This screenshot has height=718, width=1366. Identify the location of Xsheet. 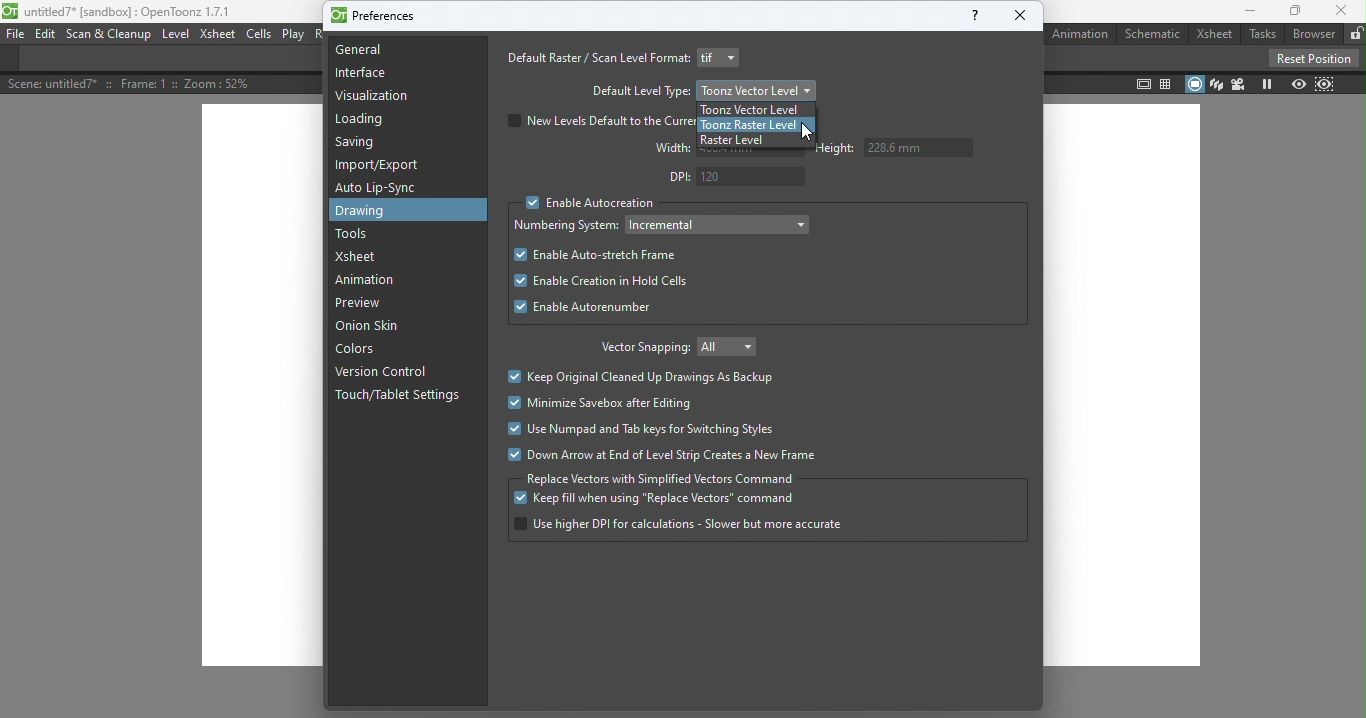
(365, 256).